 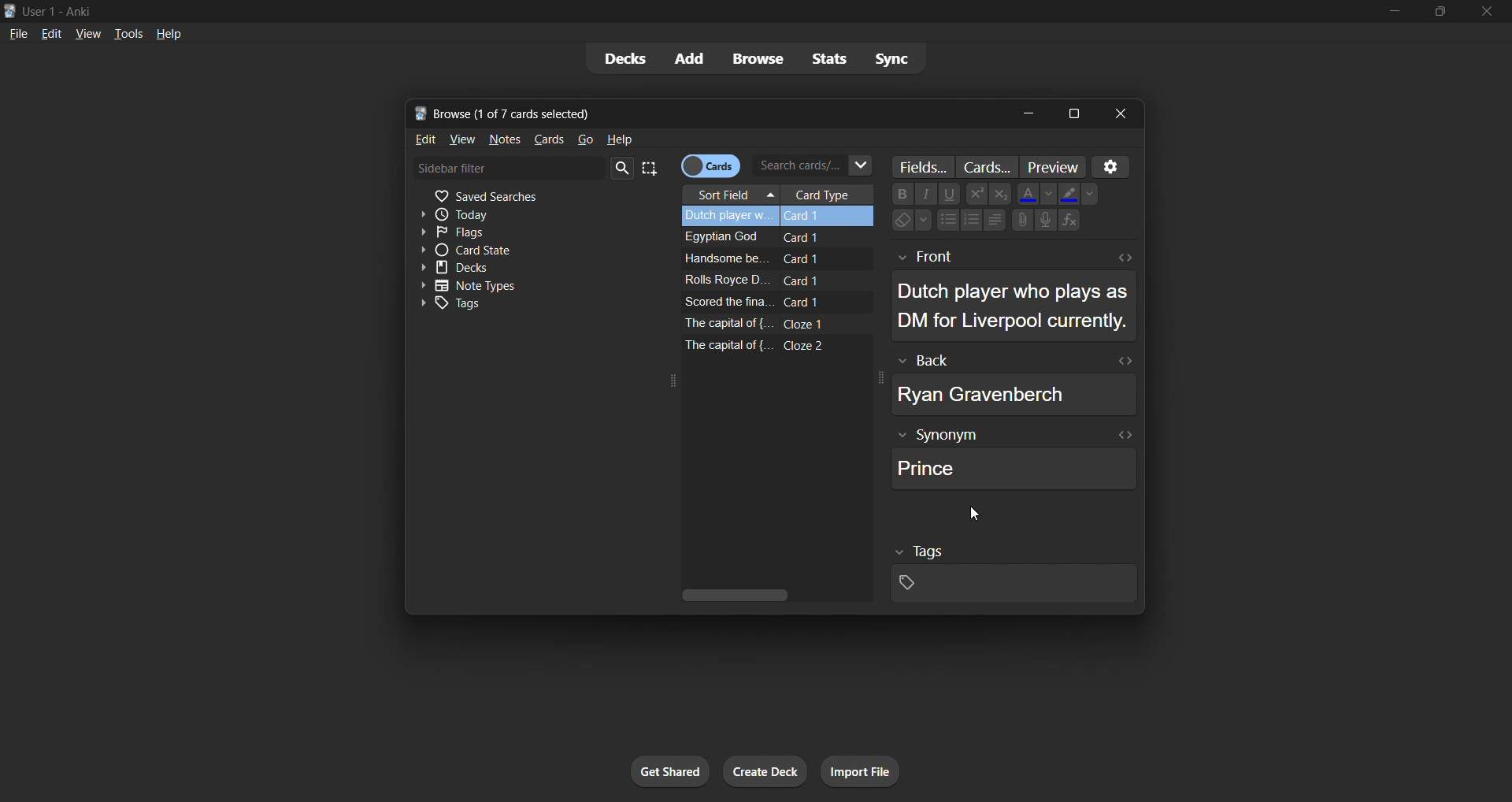 What do you see at coordinates (813, 165) in the screenshot?
I see `search cards` at bounding box center [813, 165].